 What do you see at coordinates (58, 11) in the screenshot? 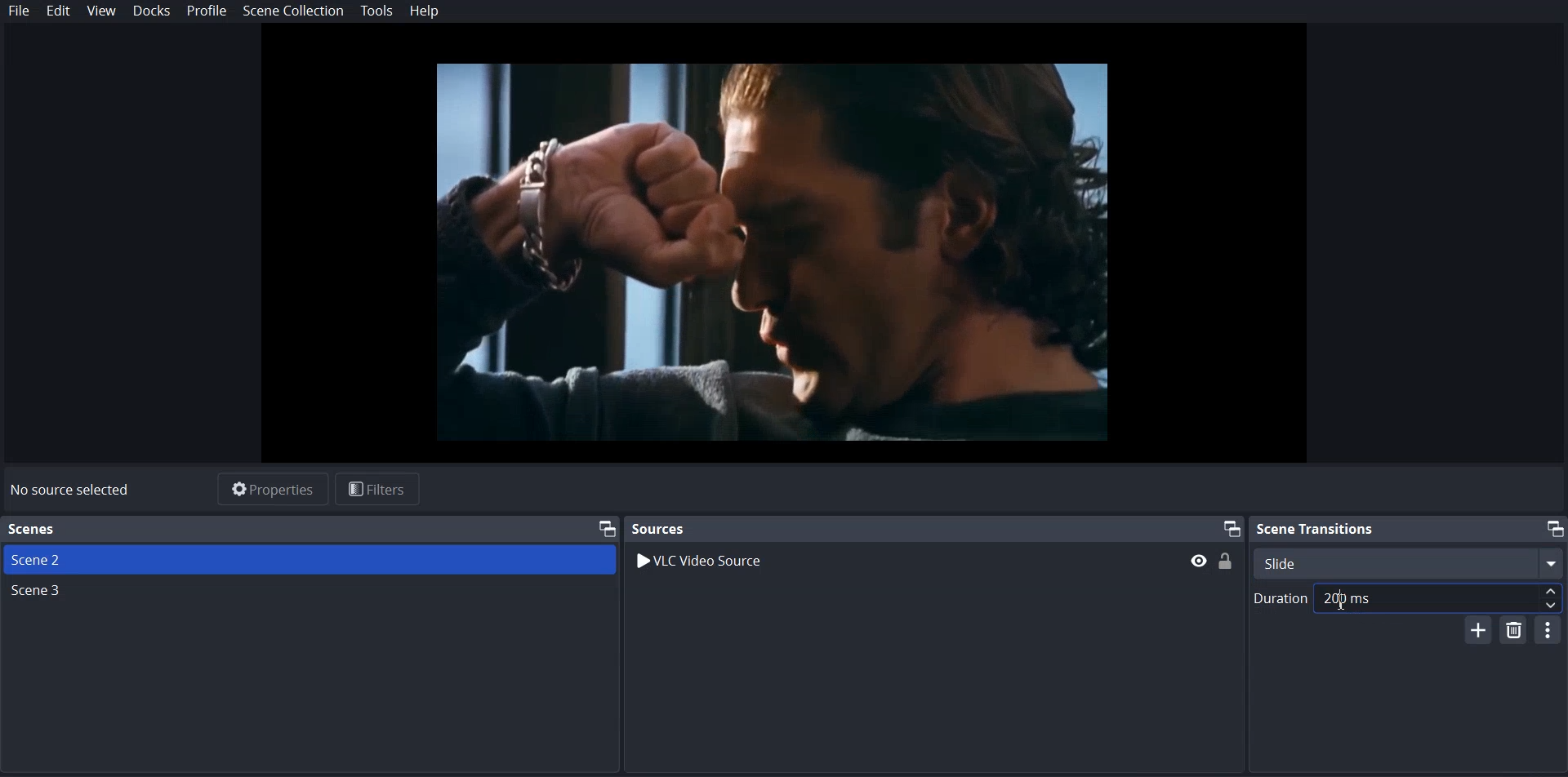
I see `Edit` at bounding box center [58, 11].